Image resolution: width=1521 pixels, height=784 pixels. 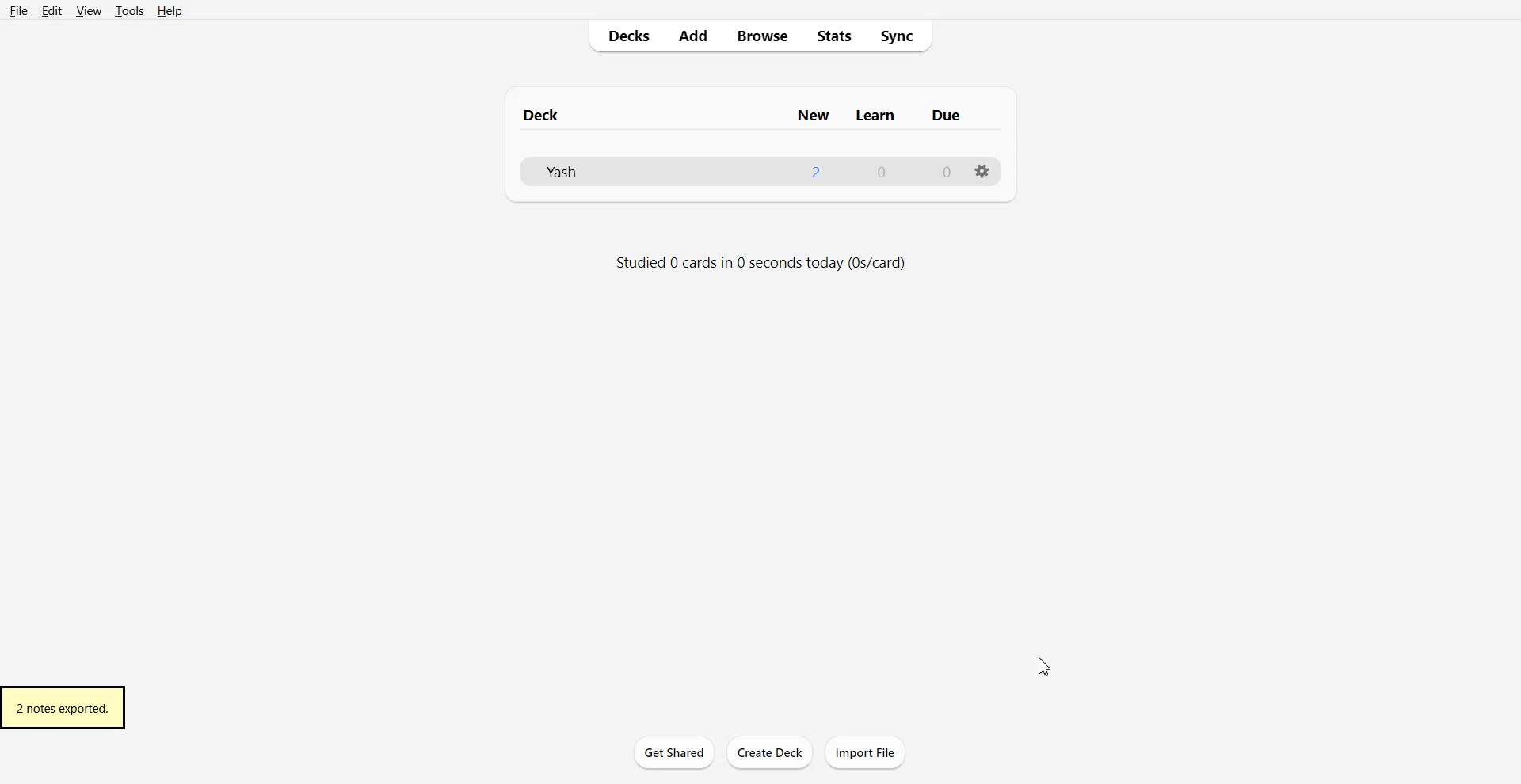 I want to click on 2 notes exported., so click(x=63, y=706).